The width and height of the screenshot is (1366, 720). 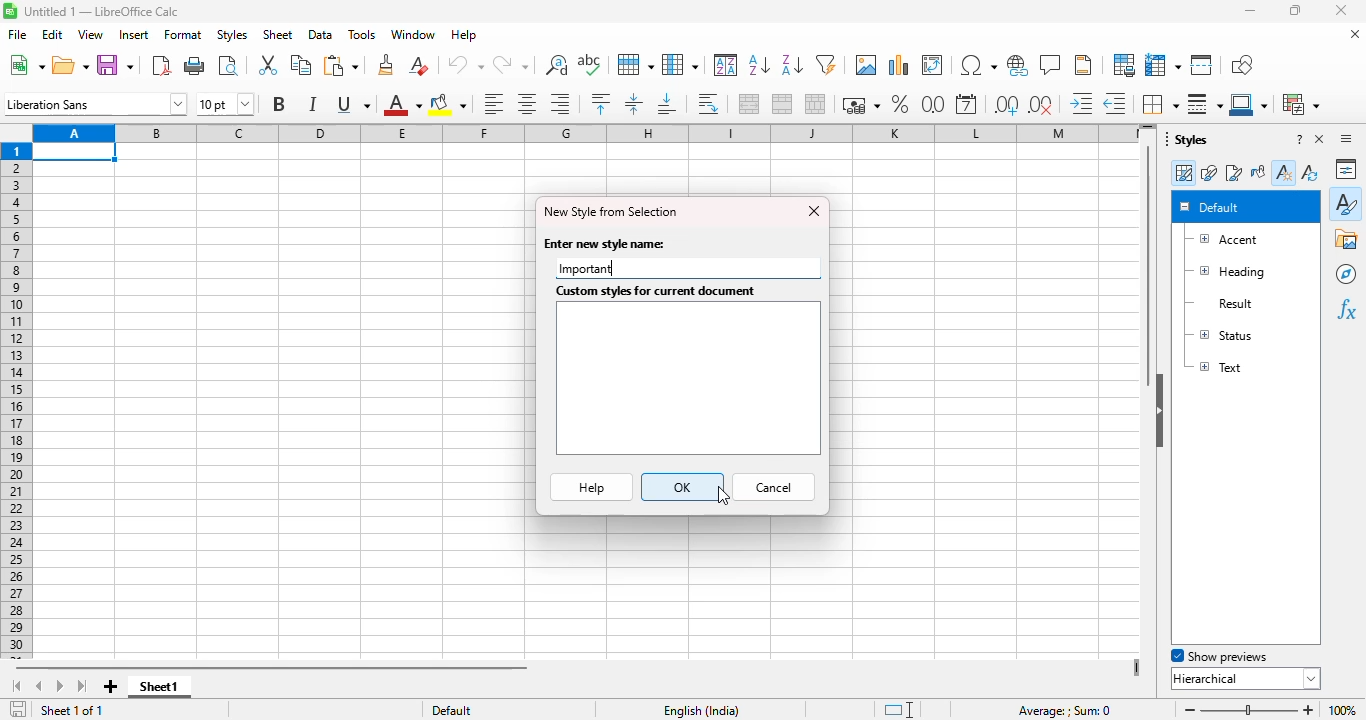 What do you see at coordinates (782, 104) in the screenshot?
I see `merge cells` at bounding box center [782, 104].